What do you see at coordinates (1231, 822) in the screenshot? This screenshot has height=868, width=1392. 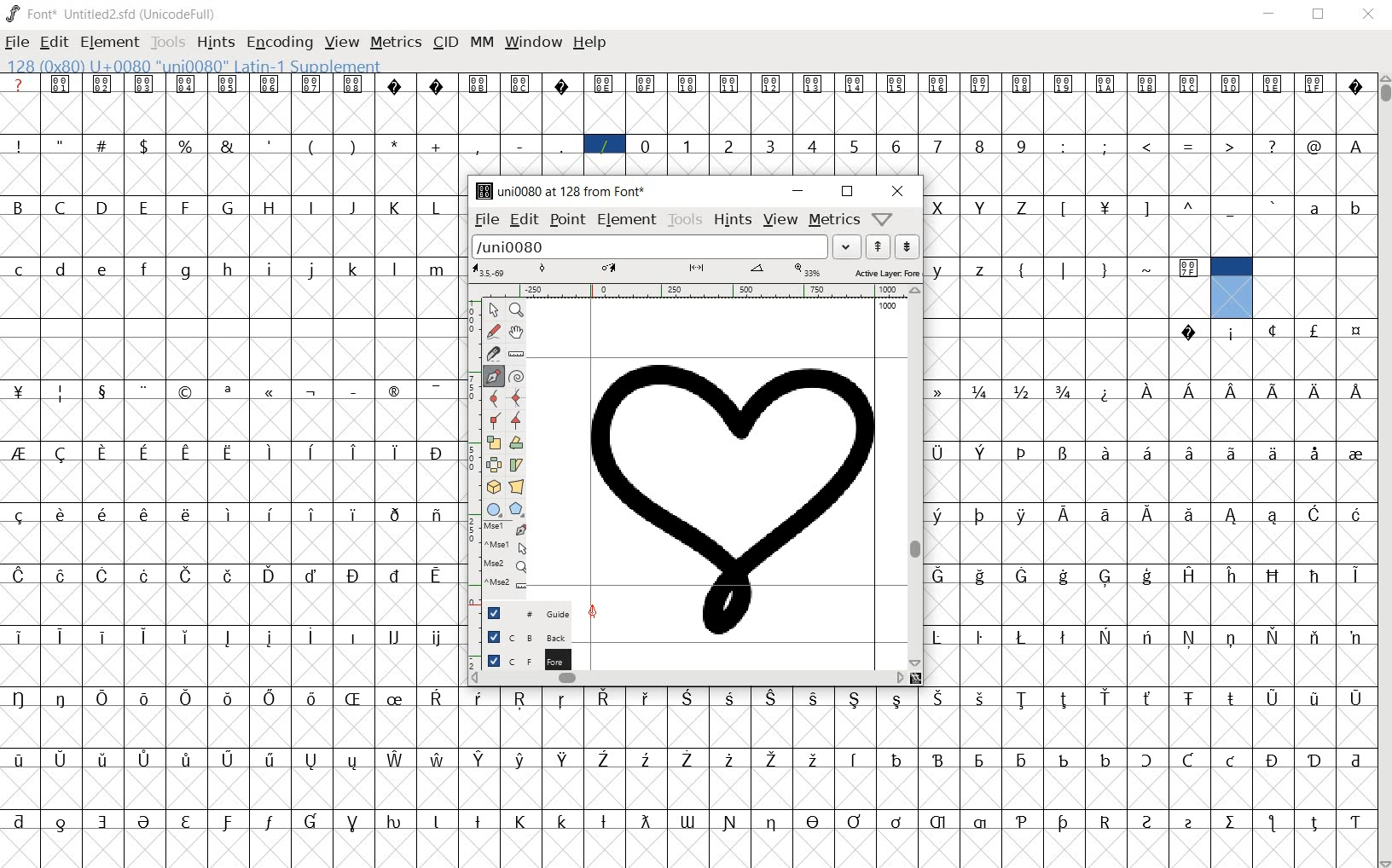 I see `glyph` at bounding box center [1231, 822].